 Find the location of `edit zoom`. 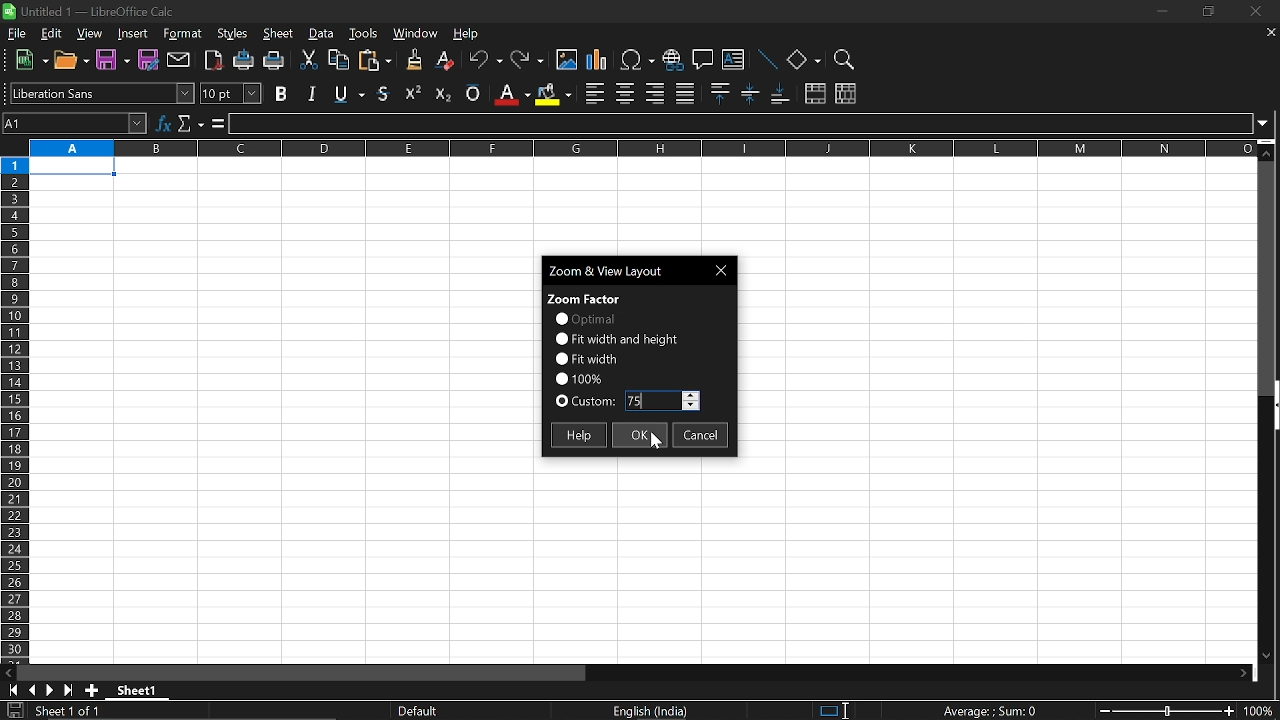

edit zoom is located at coordinates (662, 401).